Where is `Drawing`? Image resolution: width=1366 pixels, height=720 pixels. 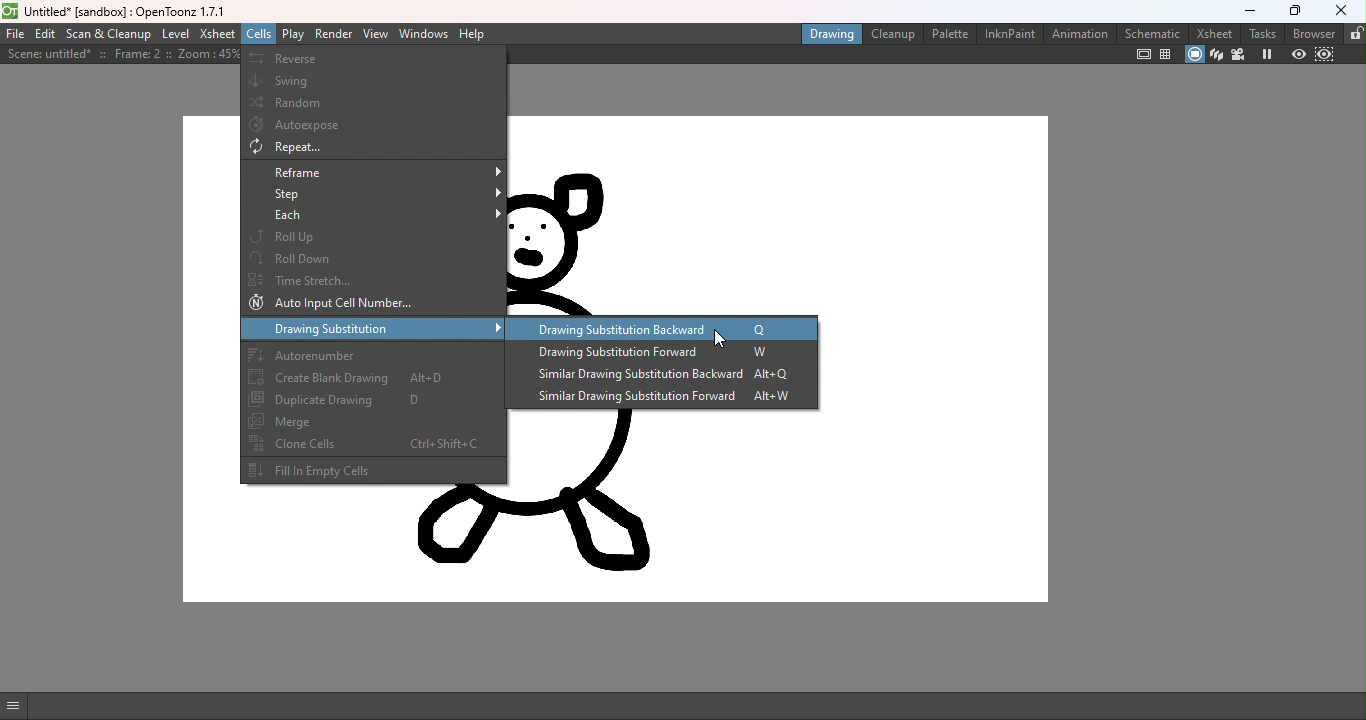 Drawing is located at coordinates (830, 35).